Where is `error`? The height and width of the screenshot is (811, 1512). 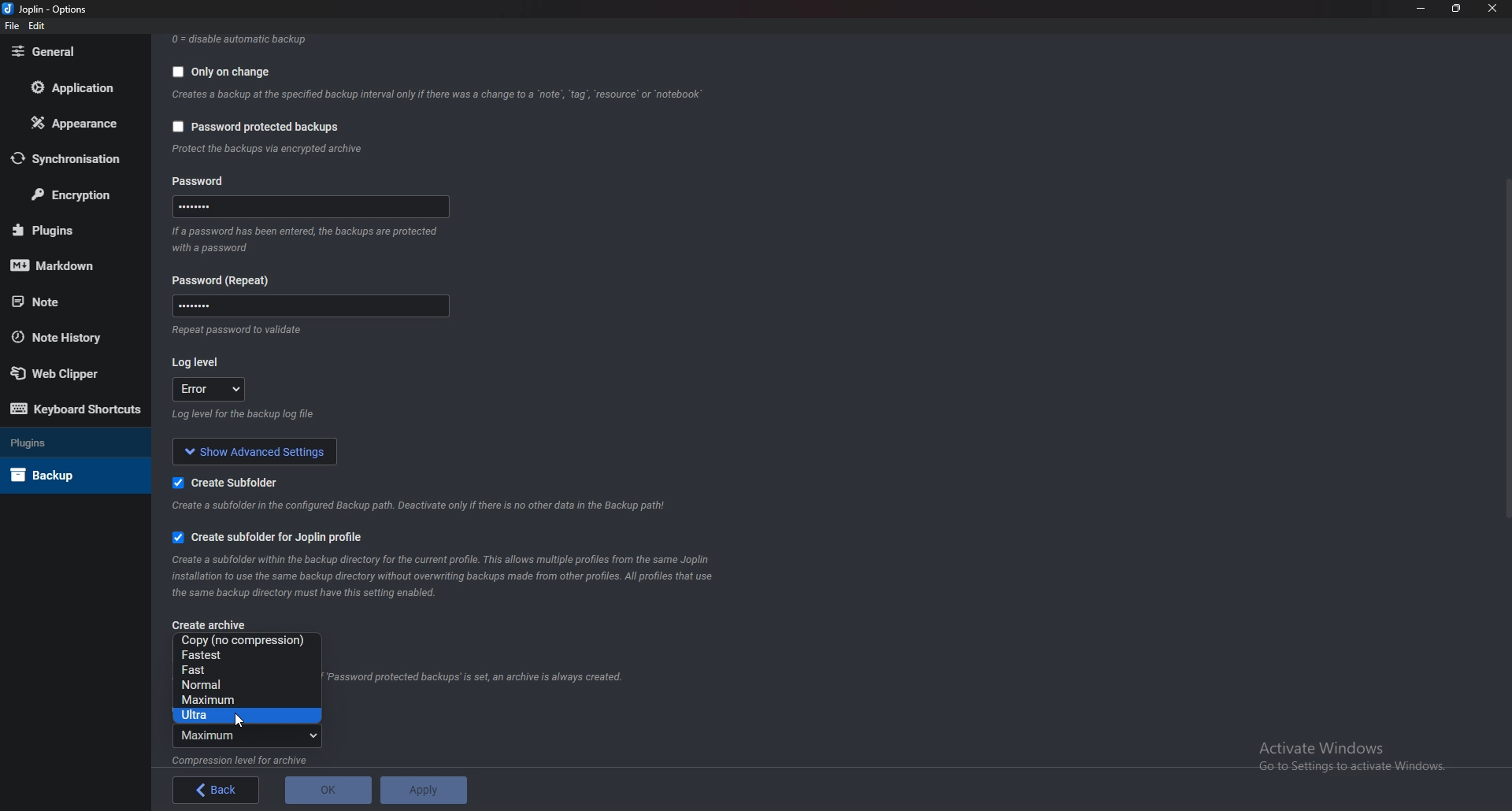
error is located at coordinates (207, 388).